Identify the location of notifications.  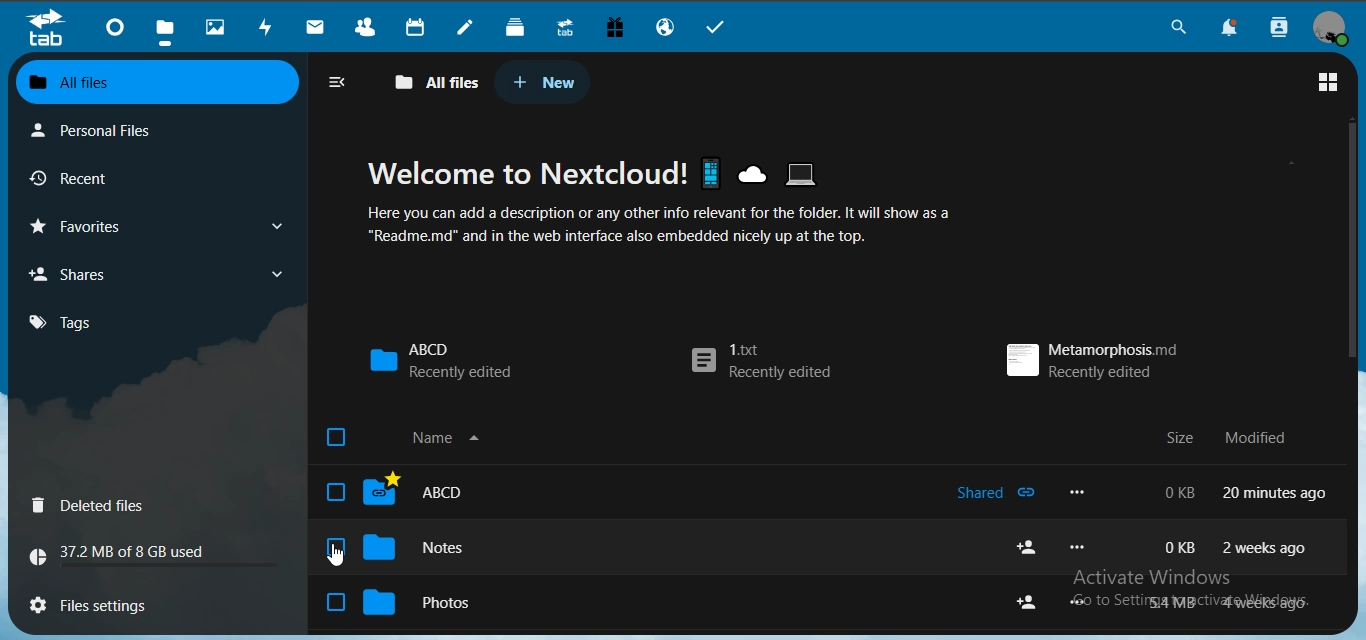
(1231, 29).